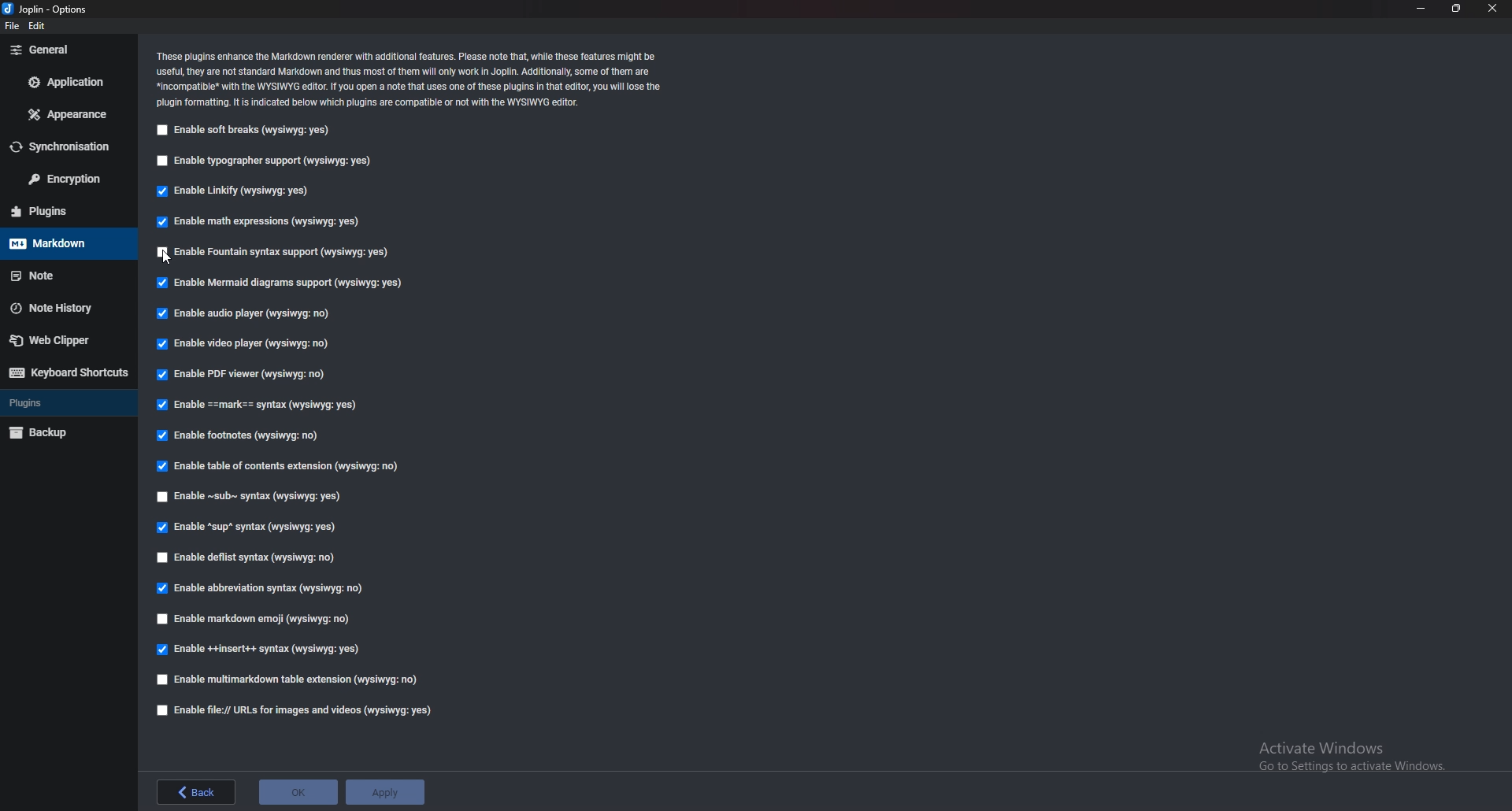 The height and width of the screenshot is (811, 1512). What do you see at coordinates (67, 84) in the screenshot?
I see `Application` at bounding box center [67, 84].